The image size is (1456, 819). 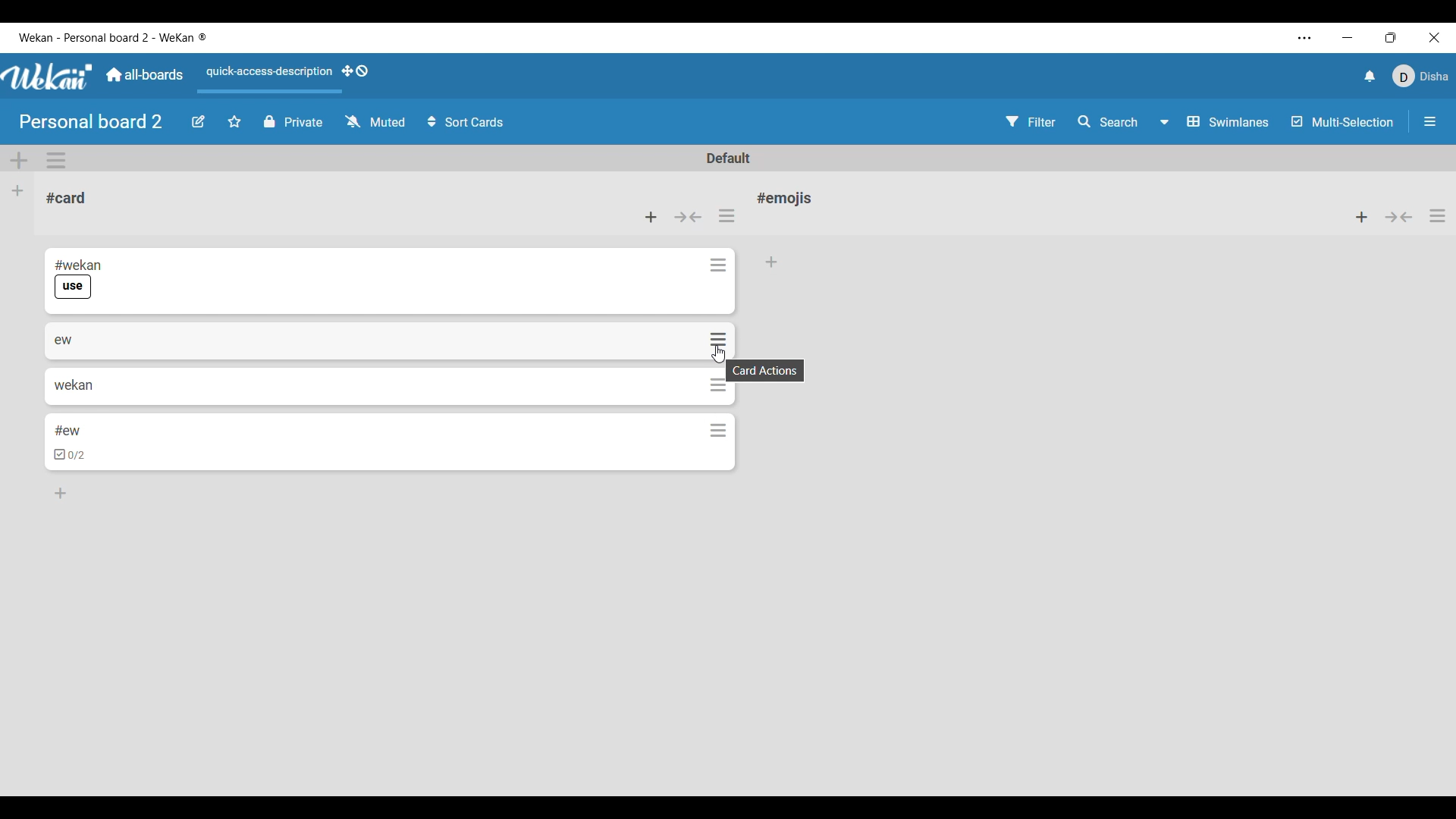 I want to click on Cursor clicking in another card, so click(x=717, y=353).